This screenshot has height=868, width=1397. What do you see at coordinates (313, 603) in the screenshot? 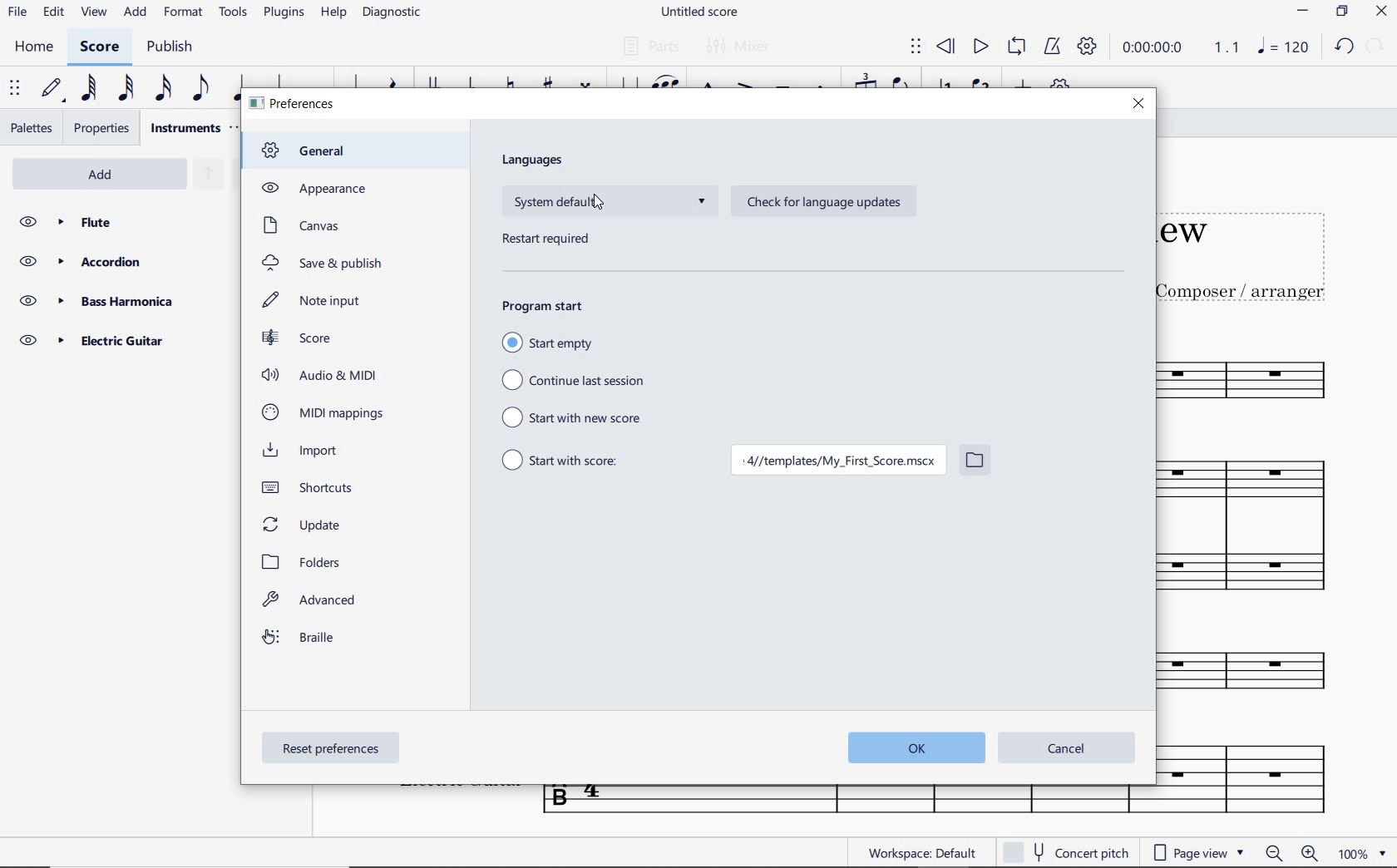
I see `advanced` at bounding box center [313, 603].